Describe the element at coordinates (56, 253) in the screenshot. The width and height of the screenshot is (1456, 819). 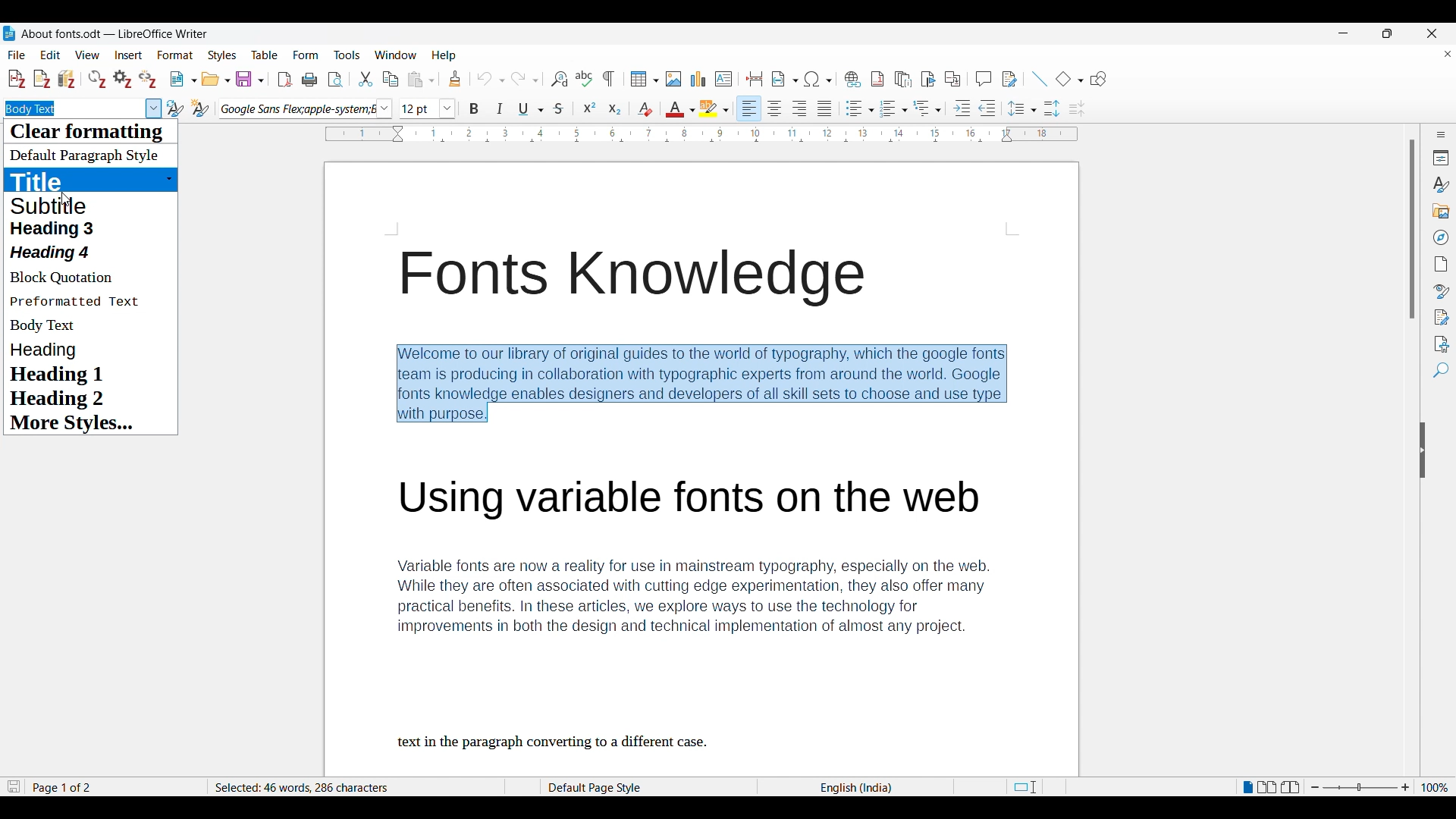
I see `heading` at that location.